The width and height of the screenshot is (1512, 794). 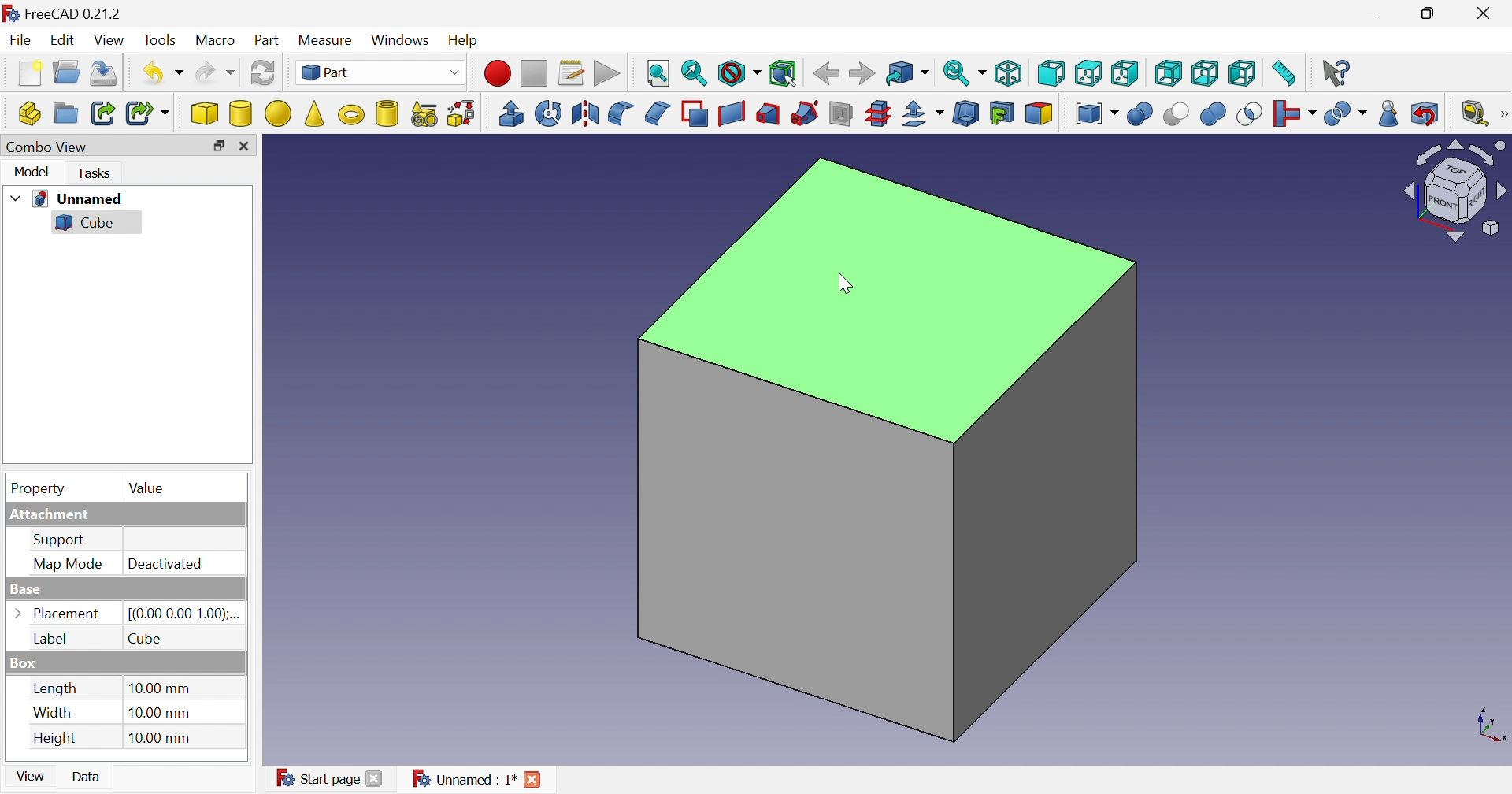 I want to click on Restore down, so click(x=1431, y=14).